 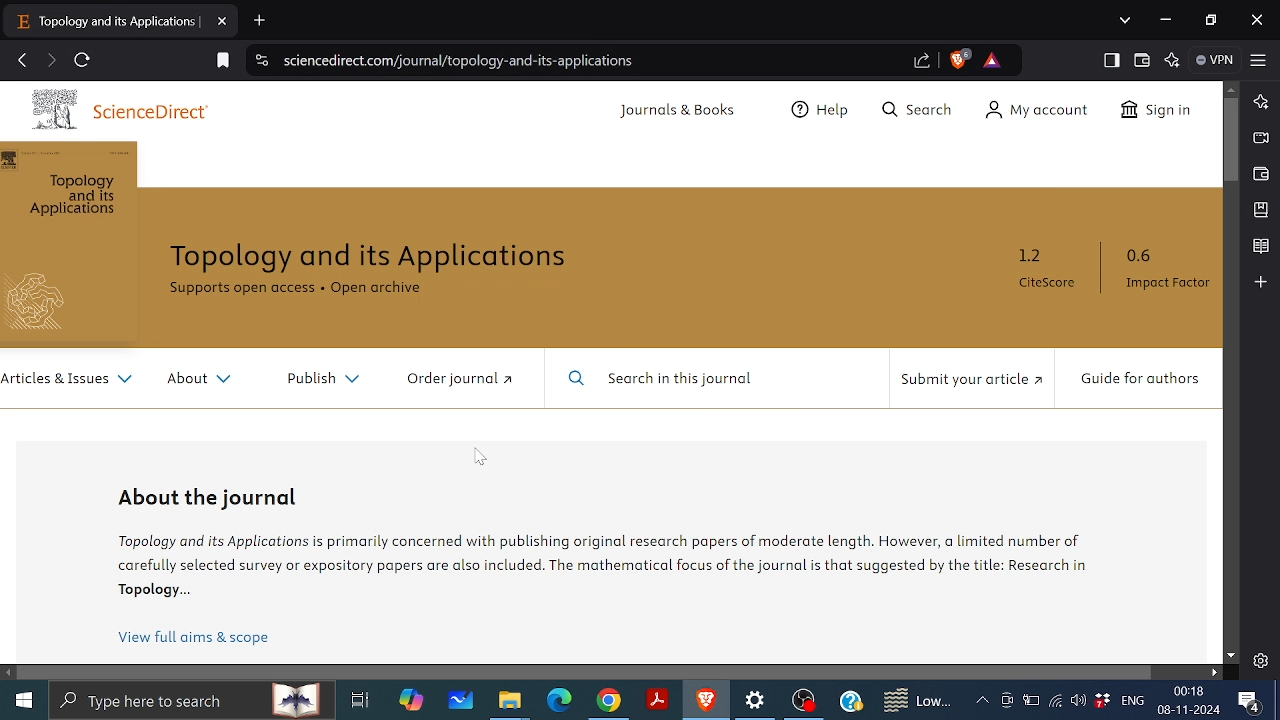 I want to click on Customize and control brave, so click(x=1259, y=60).